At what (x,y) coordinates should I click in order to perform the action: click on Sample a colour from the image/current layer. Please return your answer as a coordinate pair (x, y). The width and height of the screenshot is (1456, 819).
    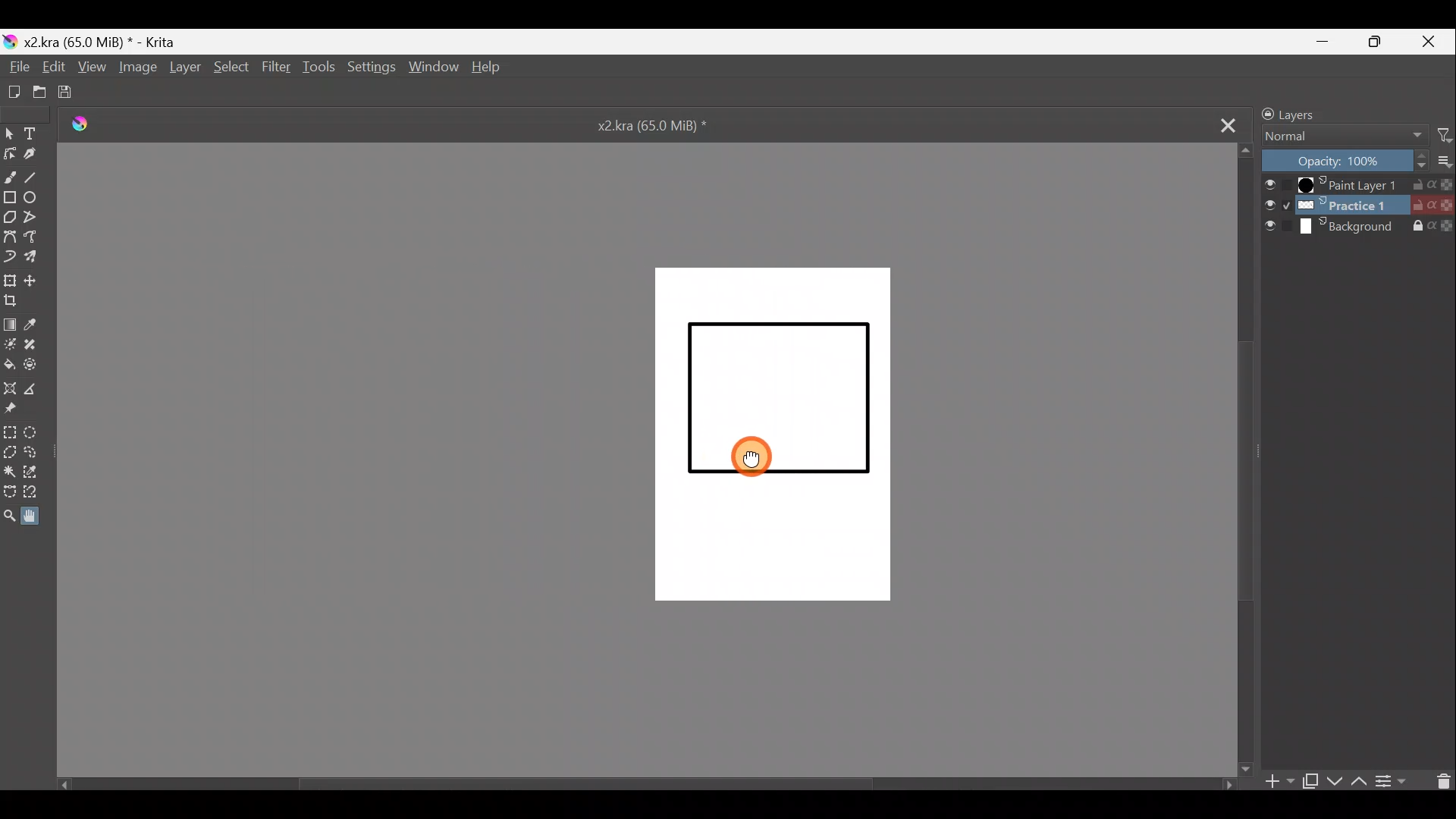
    Looking at the image, I should click on (38, 324).